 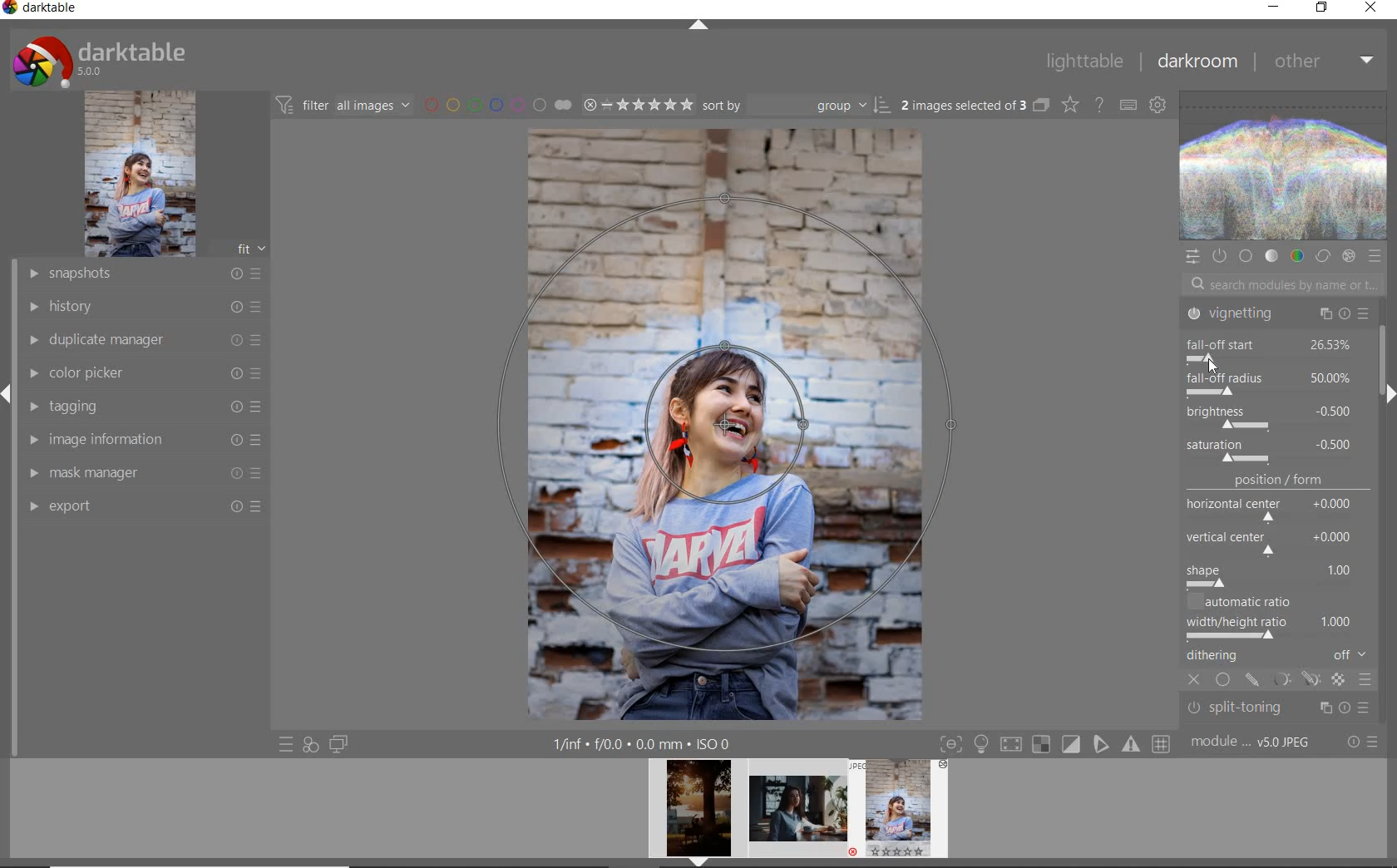 I want to click on display a second darkroom image window, so click(x=339, y=744).